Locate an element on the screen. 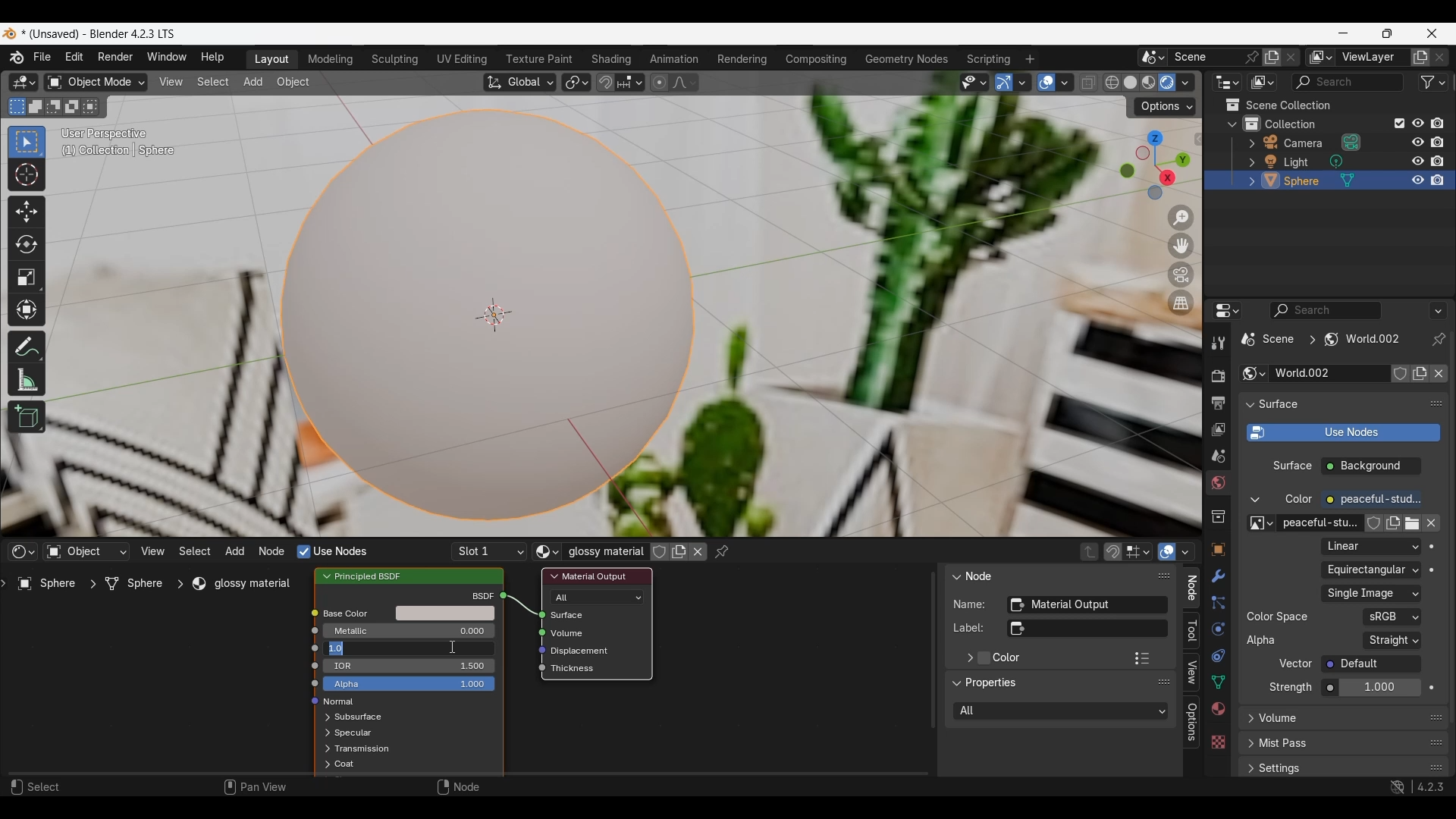 This screenshot has height=819, width=1456. Add new color is located at coordinates (1392, 523).